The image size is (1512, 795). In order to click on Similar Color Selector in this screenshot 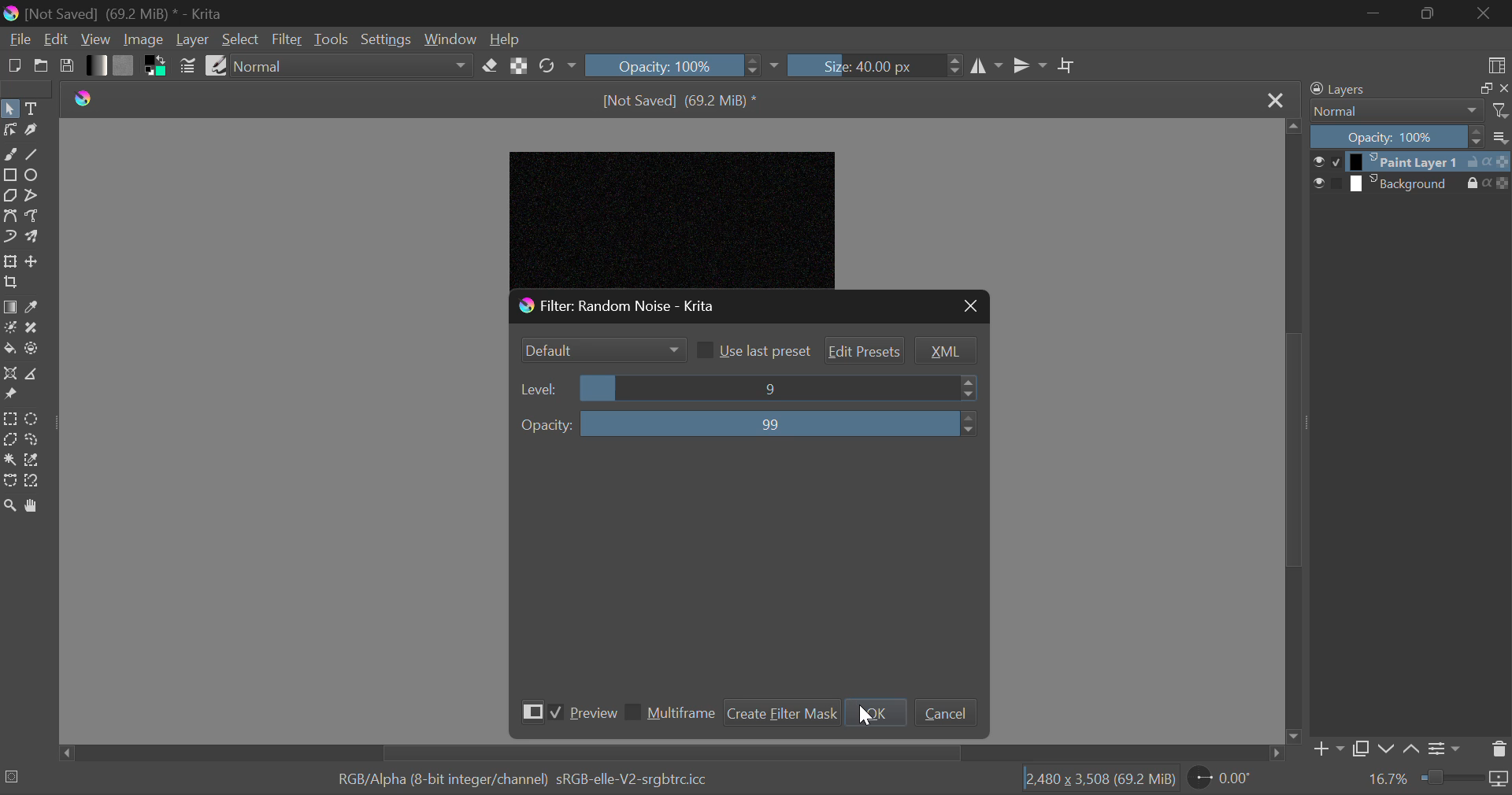, I will do `click(34, 462)`.